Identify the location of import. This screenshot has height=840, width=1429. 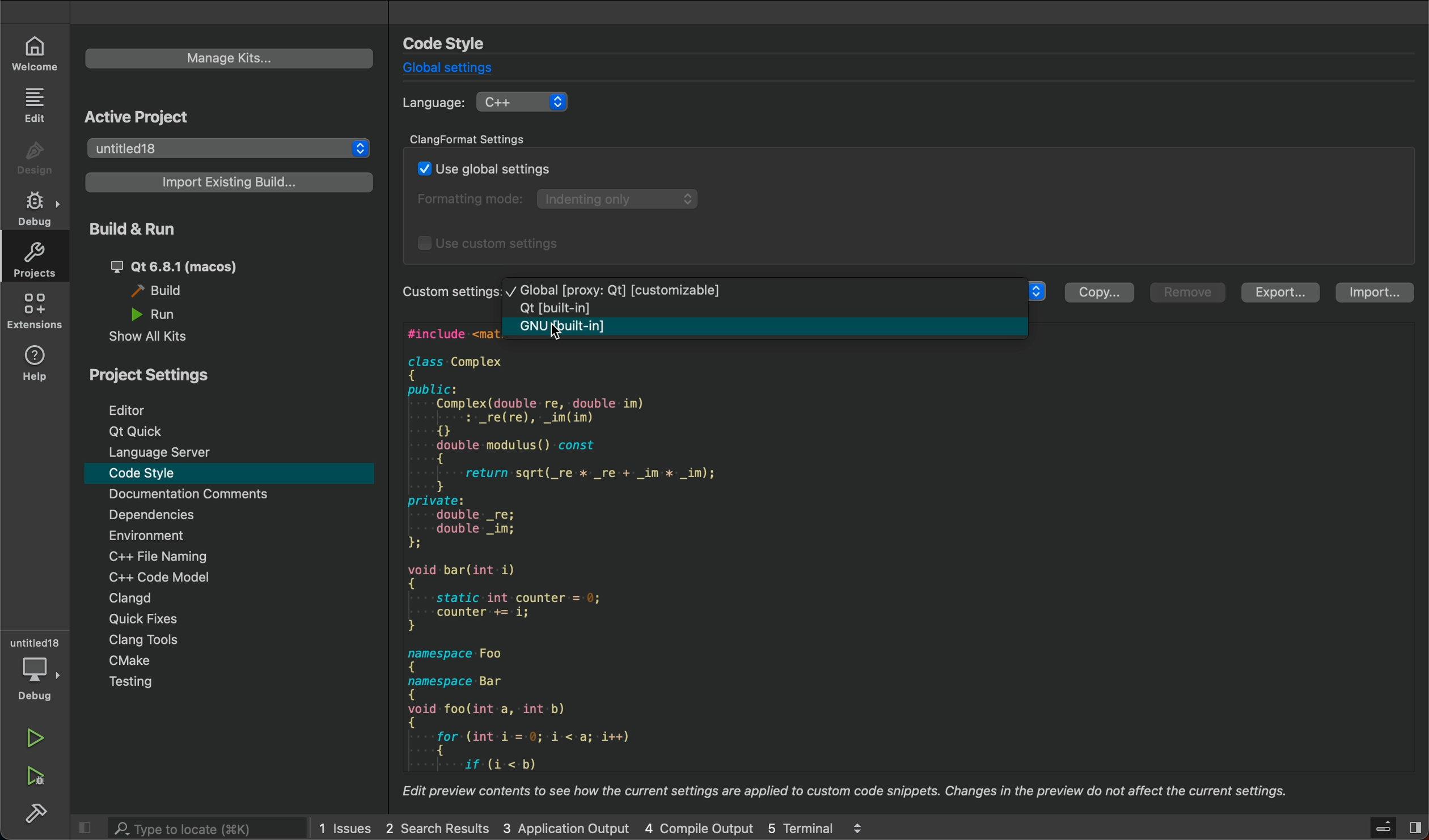
(1379, 292).